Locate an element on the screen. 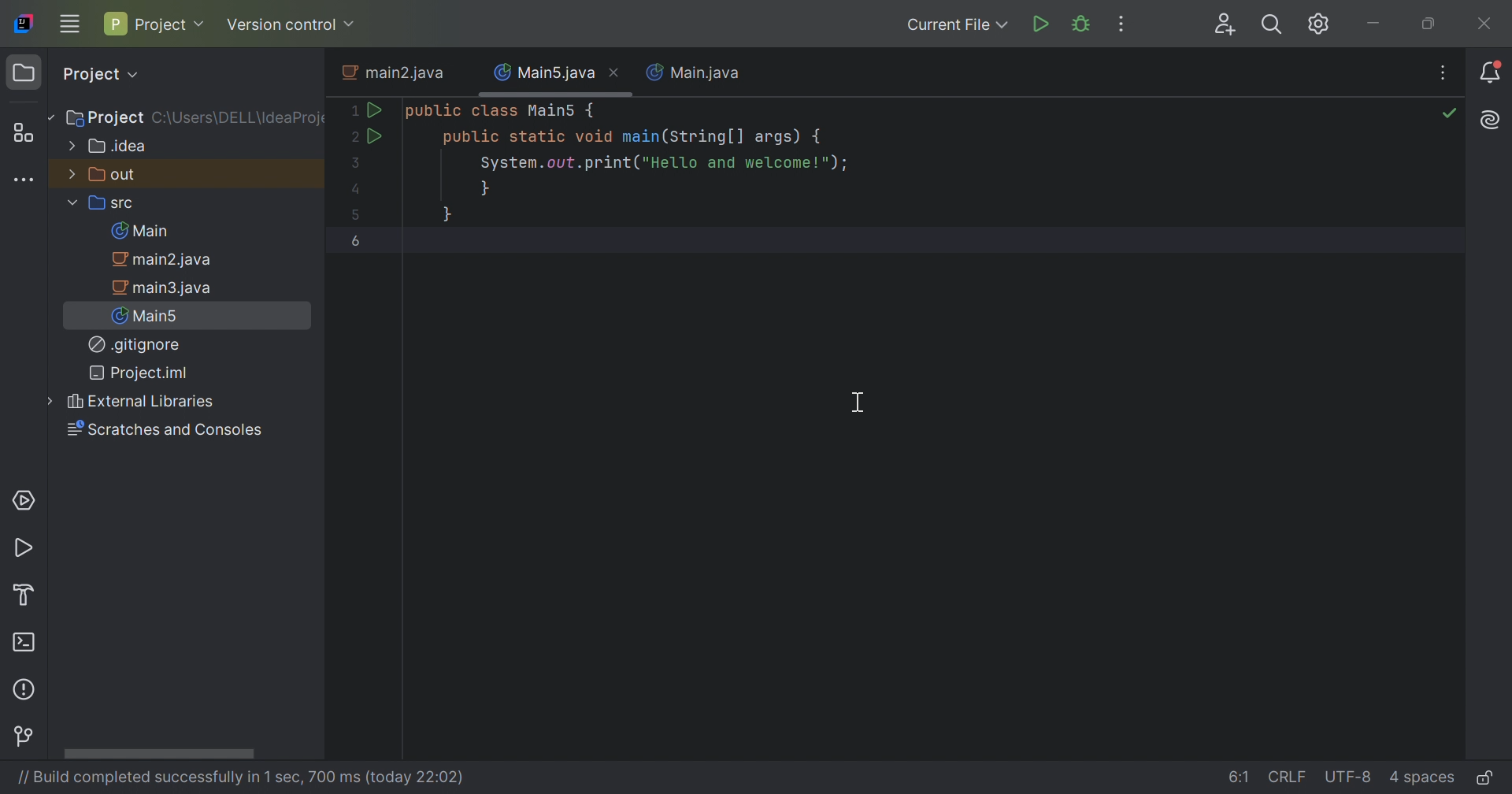  Close is located at coordinates (1486, 26).